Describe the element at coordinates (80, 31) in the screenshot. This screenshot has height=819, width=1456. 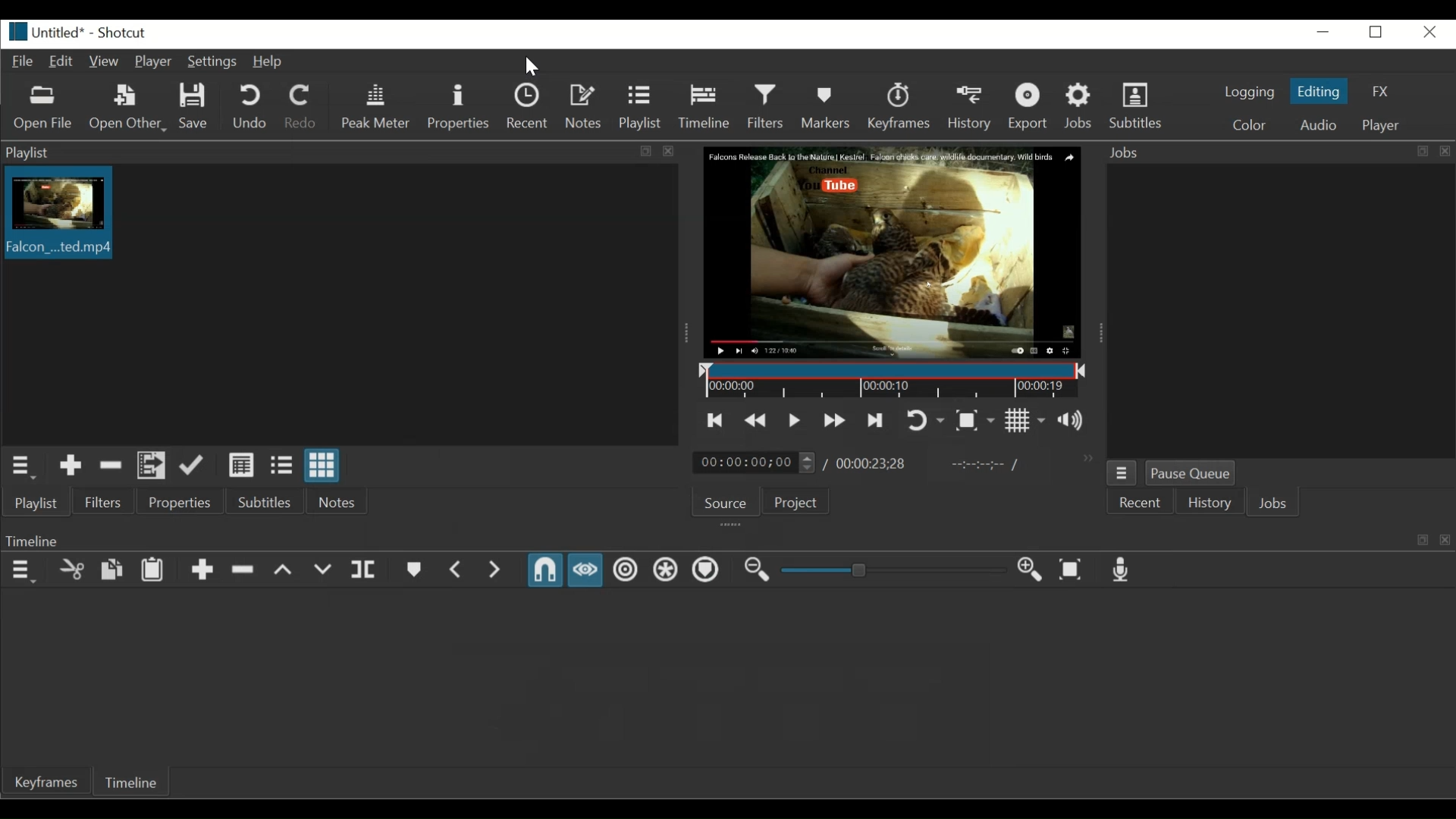
I see `Untitled* - Shortcut(File details)` at that location.